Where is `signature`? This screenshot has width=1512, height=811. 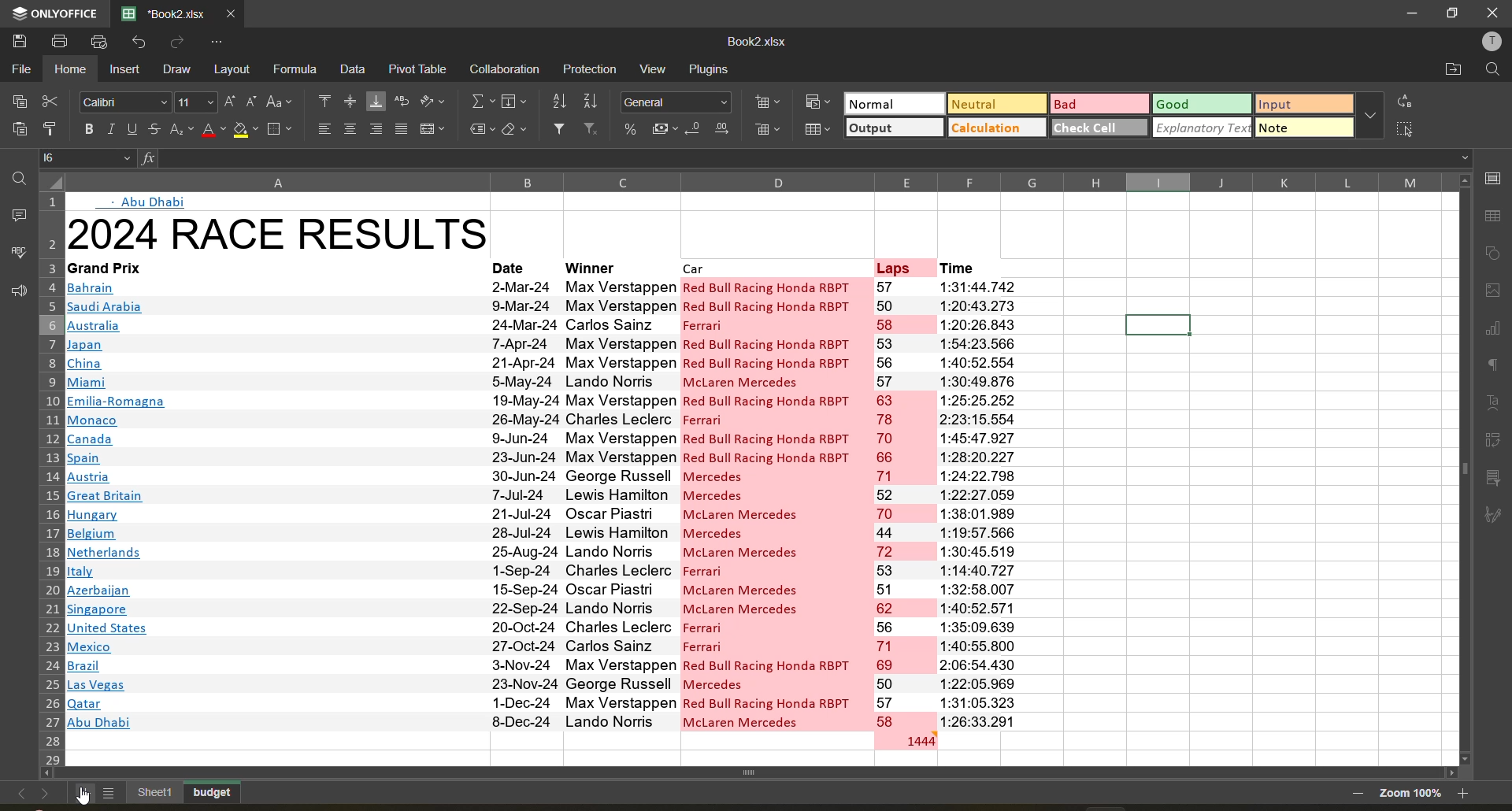
signature is located at coordinates (1496, 517).